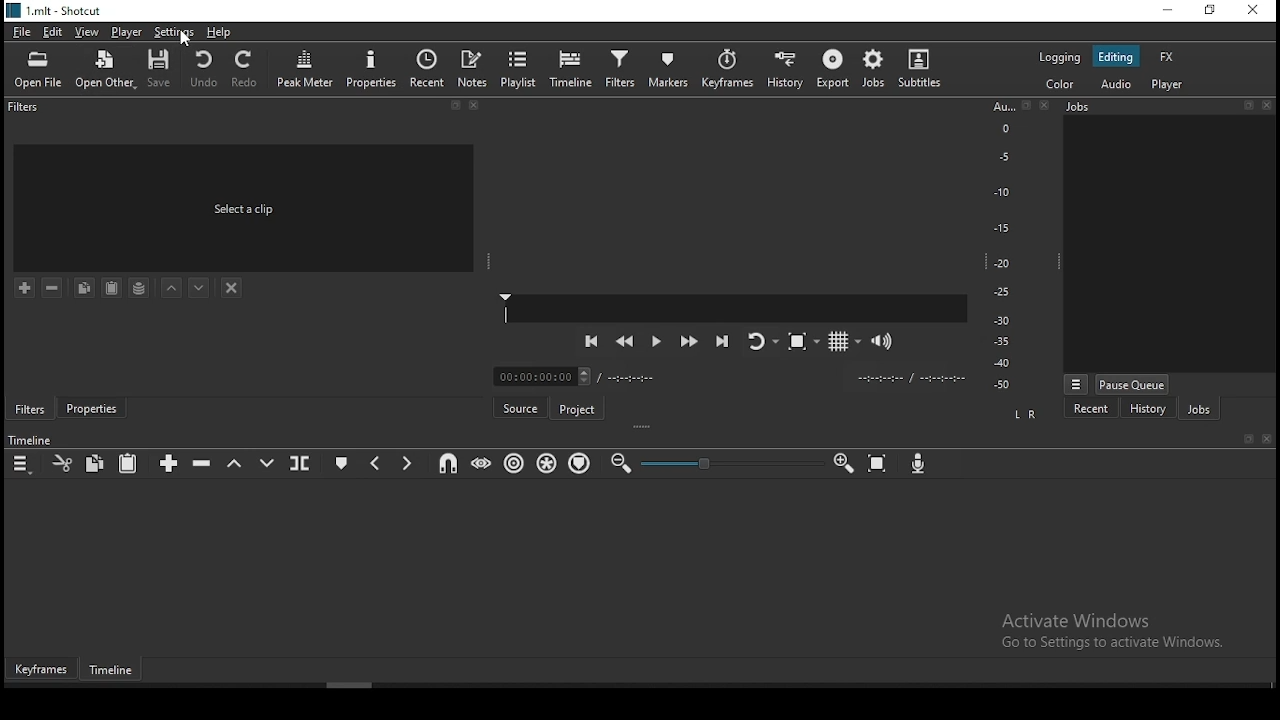 The height and width of the screenshot is (720, 1280). I want to click on comments, so click(246, 206).